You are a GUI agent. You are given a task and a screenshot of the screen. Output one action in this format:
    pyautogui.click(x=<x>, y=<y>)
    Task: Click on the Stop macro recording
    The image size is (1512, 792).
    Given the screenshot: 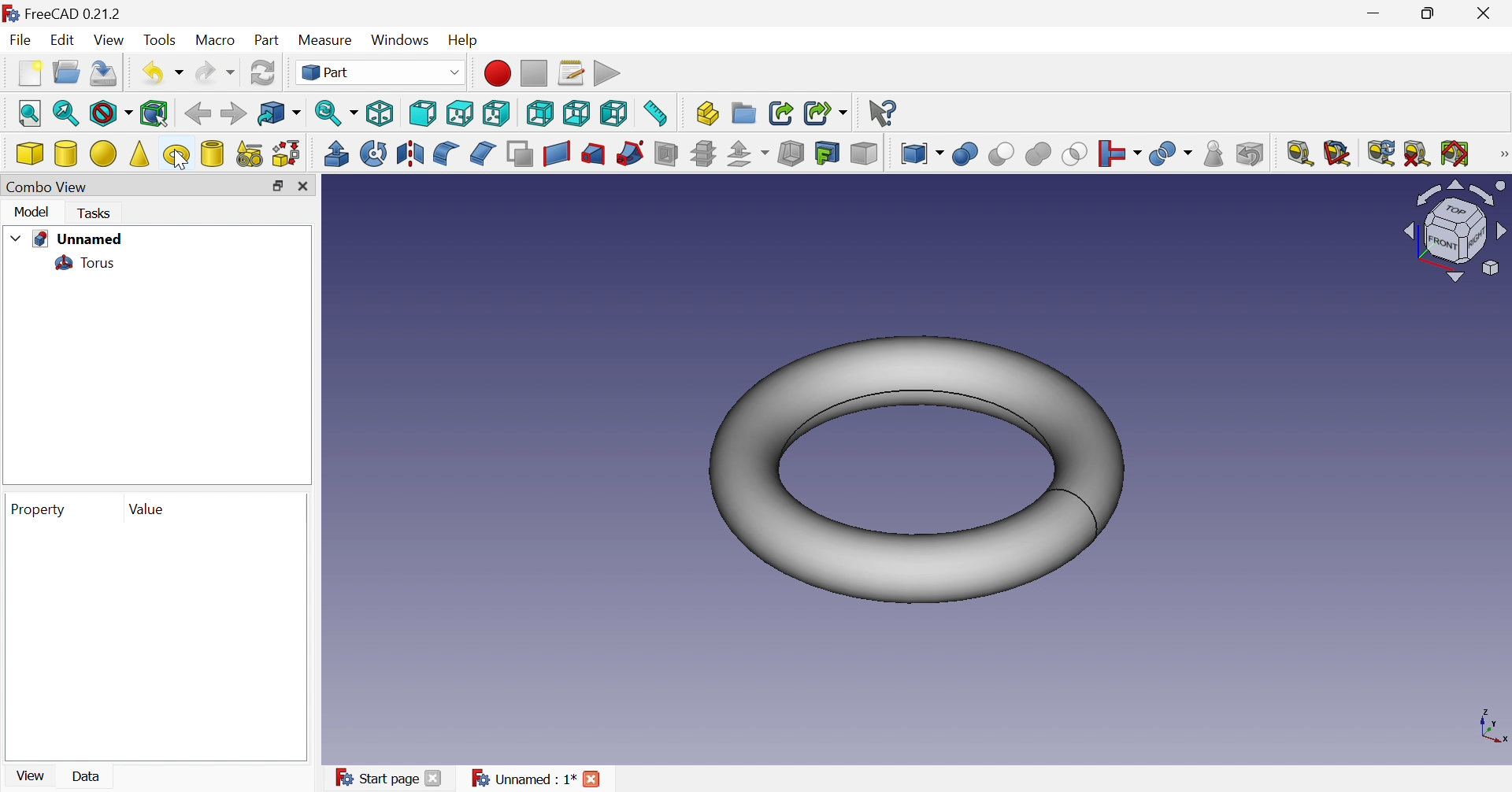 What is the action you would take?
    pyautogui.click(x=533, y=72)
    